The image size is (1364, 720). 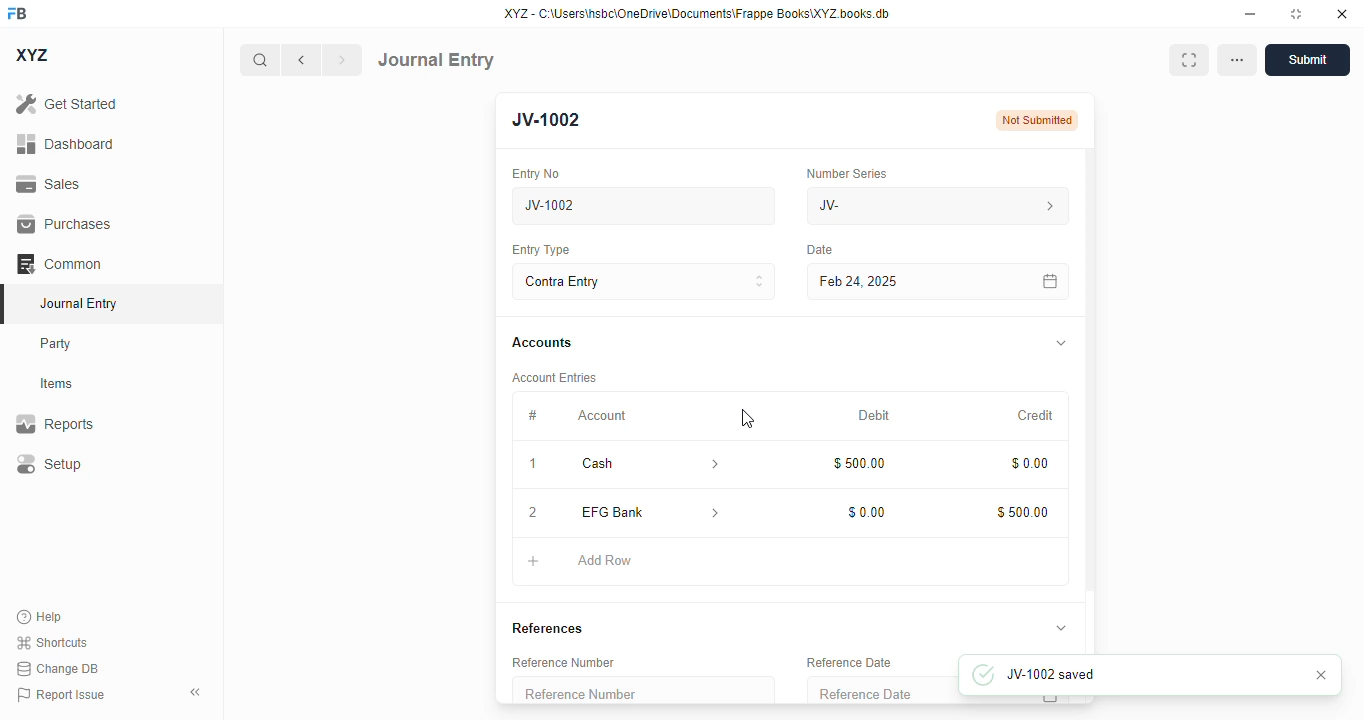 I want to click on toggle sidebar, so click(x=197, y=692).